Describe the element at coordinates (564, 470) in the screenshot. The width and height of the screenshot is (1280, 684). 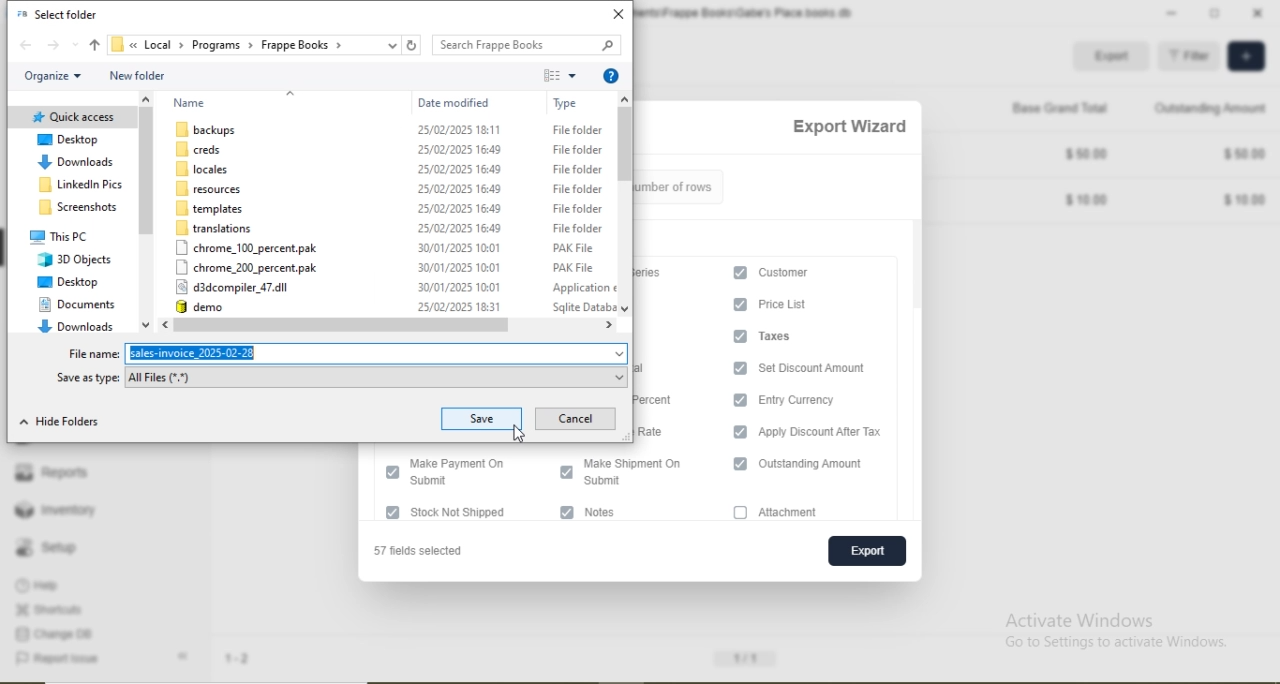
I see `checkbox` at that location.